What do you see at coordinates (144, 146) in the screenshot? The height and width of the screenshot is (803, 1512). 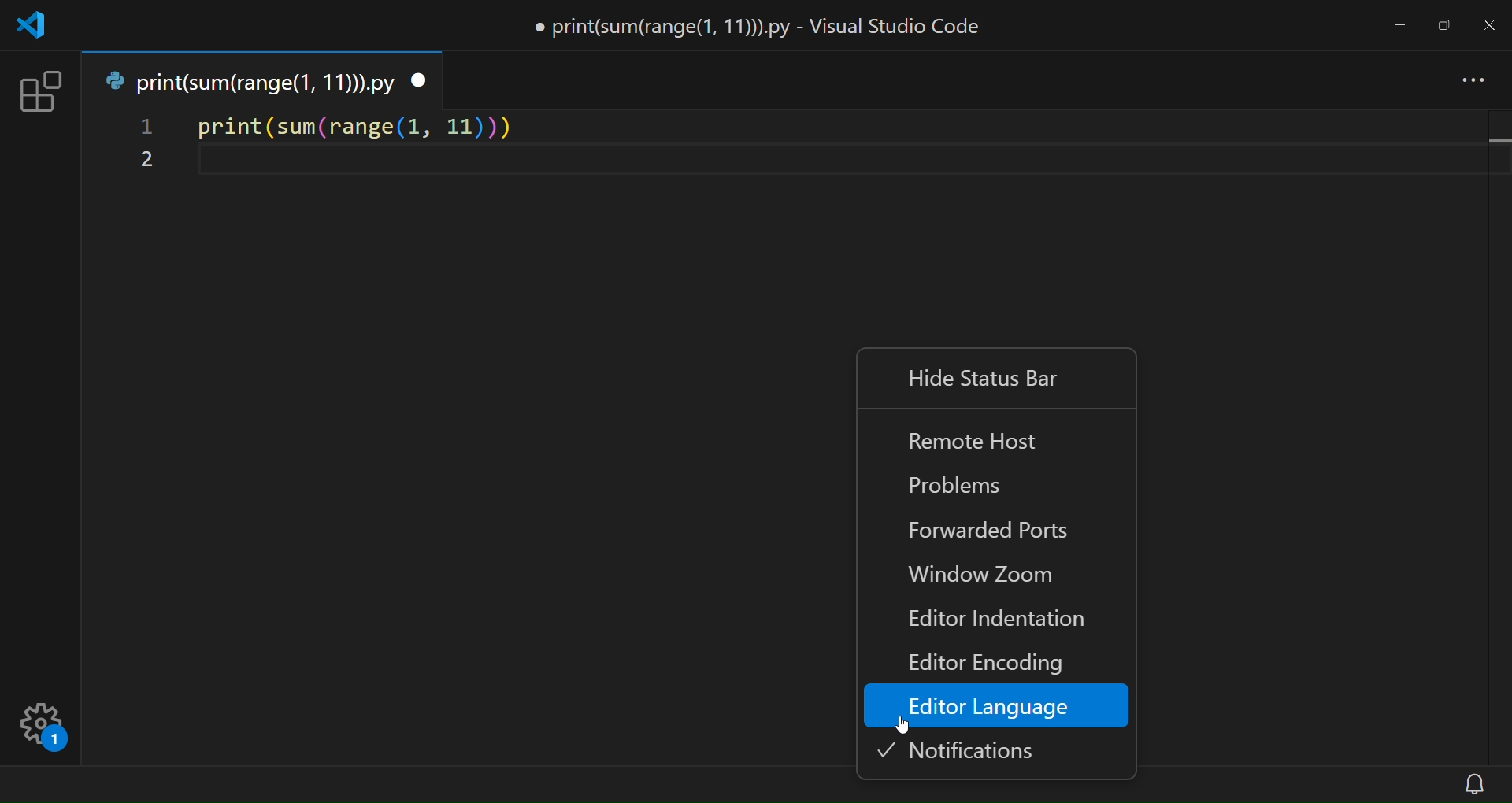 I see `line number` at bounding box center [144, 146].